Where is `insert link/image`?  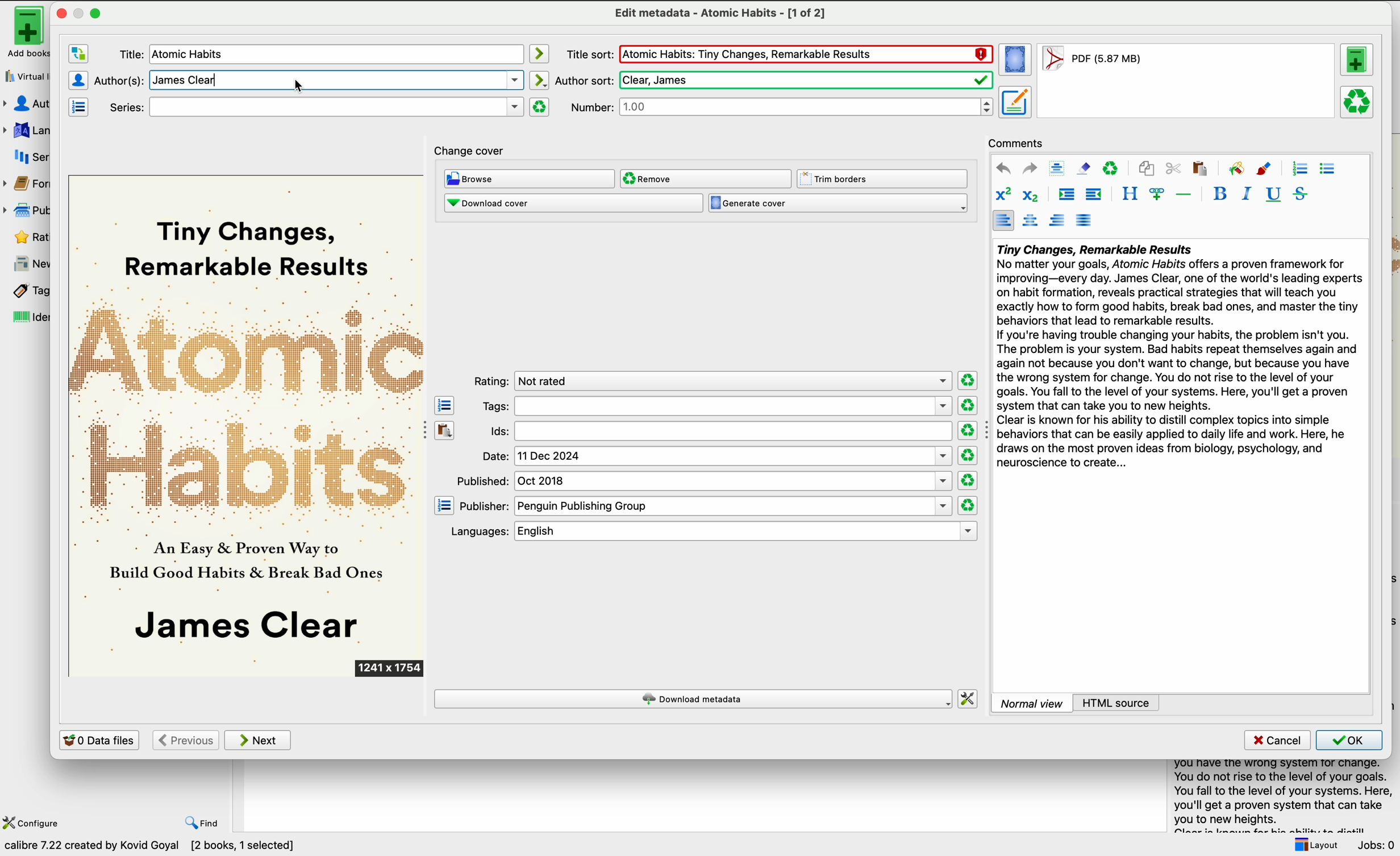
insert link/image is located at coordinates (1156, 195).